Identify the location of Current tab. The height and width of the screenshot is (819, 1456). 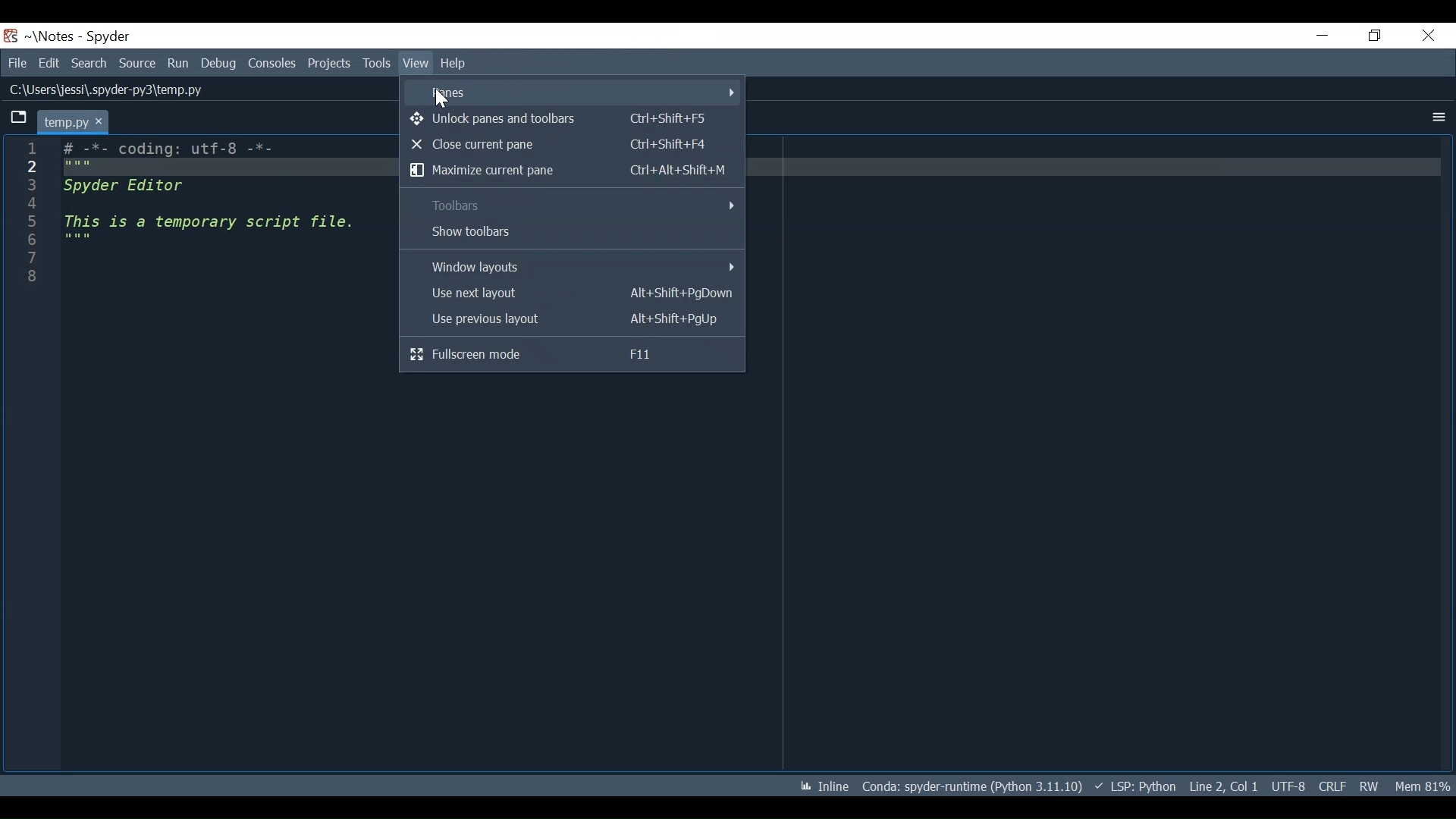
(72, 121).